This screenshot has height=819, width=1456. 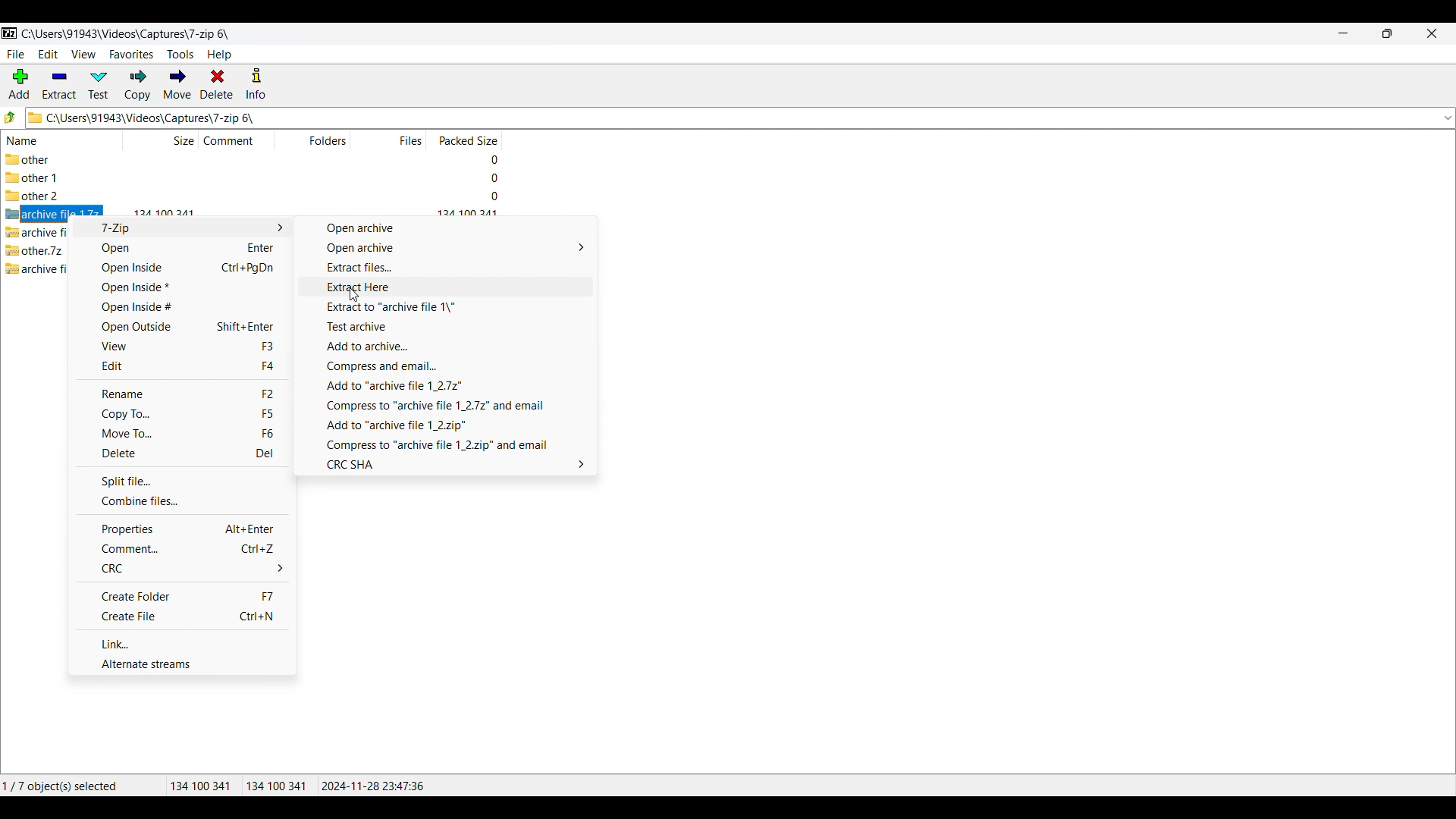 What do you see at coordinates (409, 140) in the screenshot?
I see `Files column` at bounding box center [409, 140].